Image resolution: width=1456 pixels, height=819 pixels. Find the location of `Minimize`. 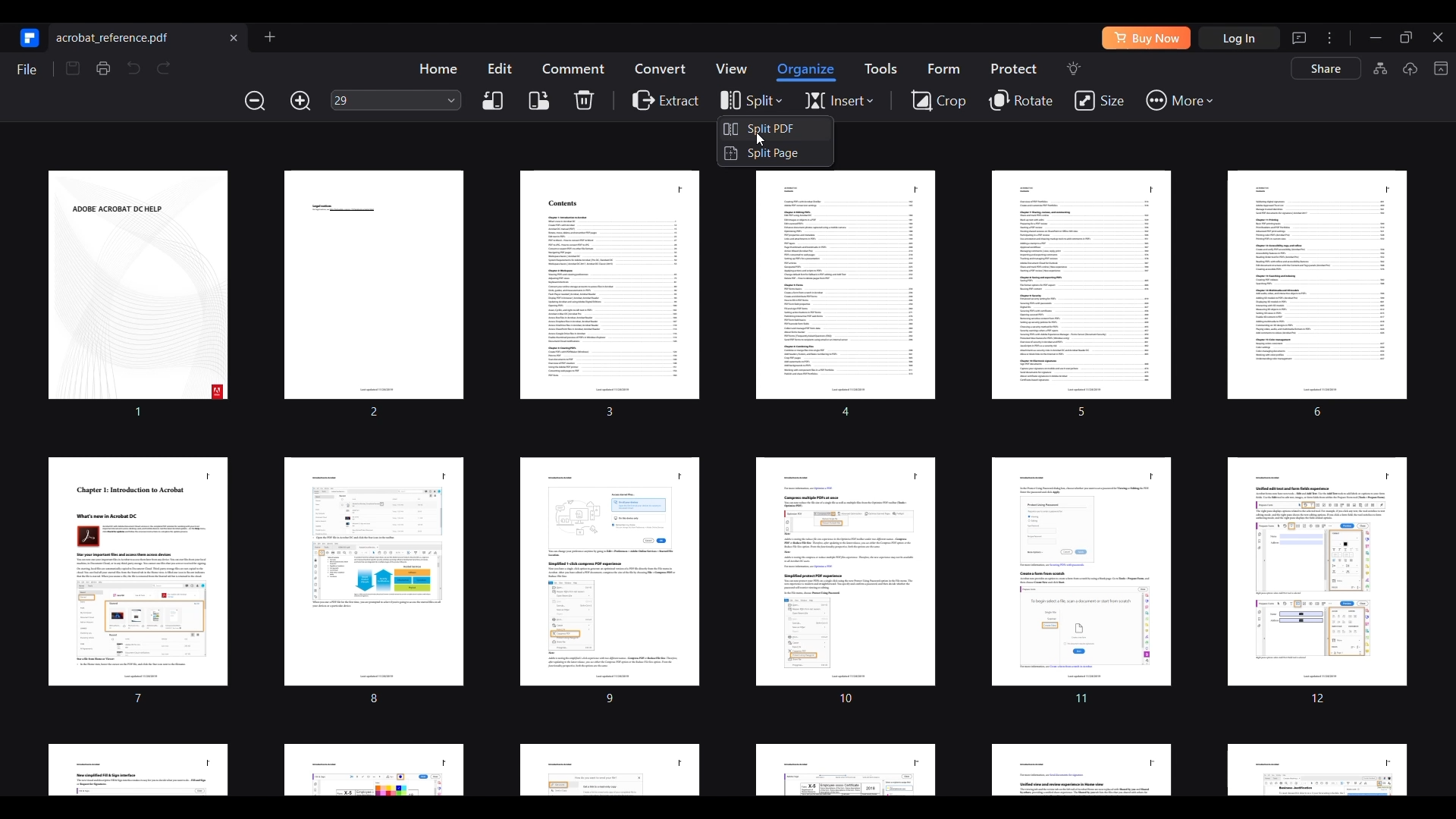

Minimize is located at coordinates (1376, 38).